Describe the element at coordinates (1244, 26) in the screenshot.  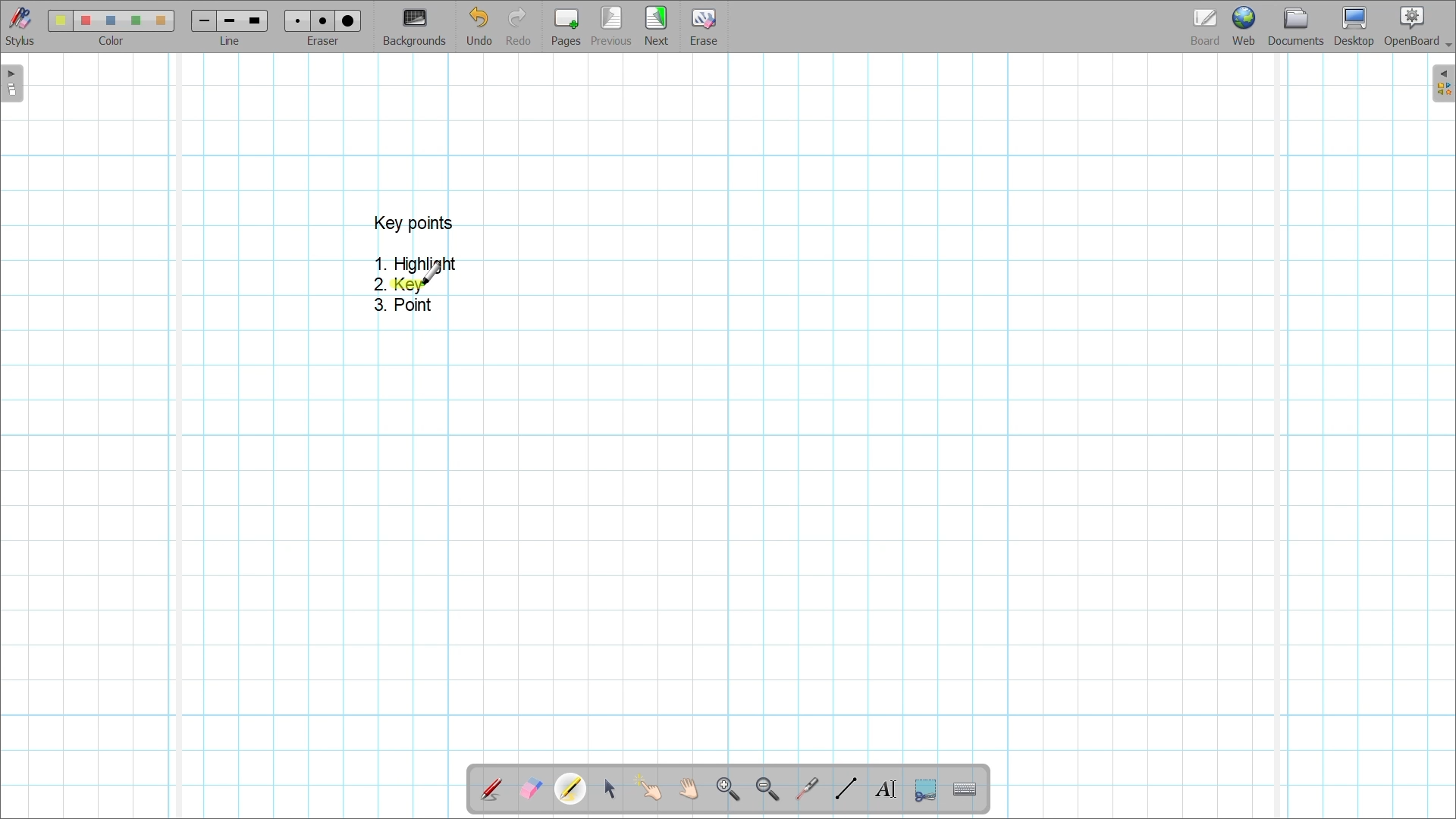
I see `Web` at that location.